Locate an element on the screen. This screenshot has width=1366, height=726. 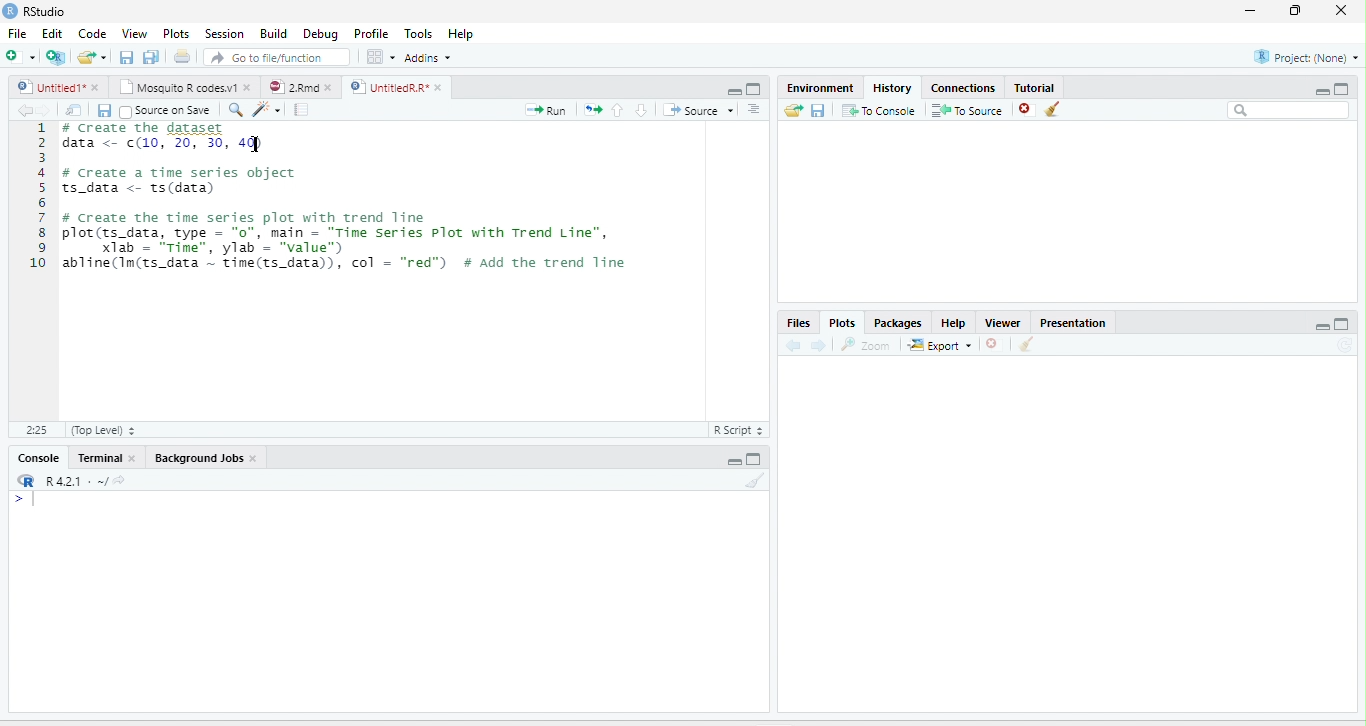
Maximize is located at coordinates (1343, 324).